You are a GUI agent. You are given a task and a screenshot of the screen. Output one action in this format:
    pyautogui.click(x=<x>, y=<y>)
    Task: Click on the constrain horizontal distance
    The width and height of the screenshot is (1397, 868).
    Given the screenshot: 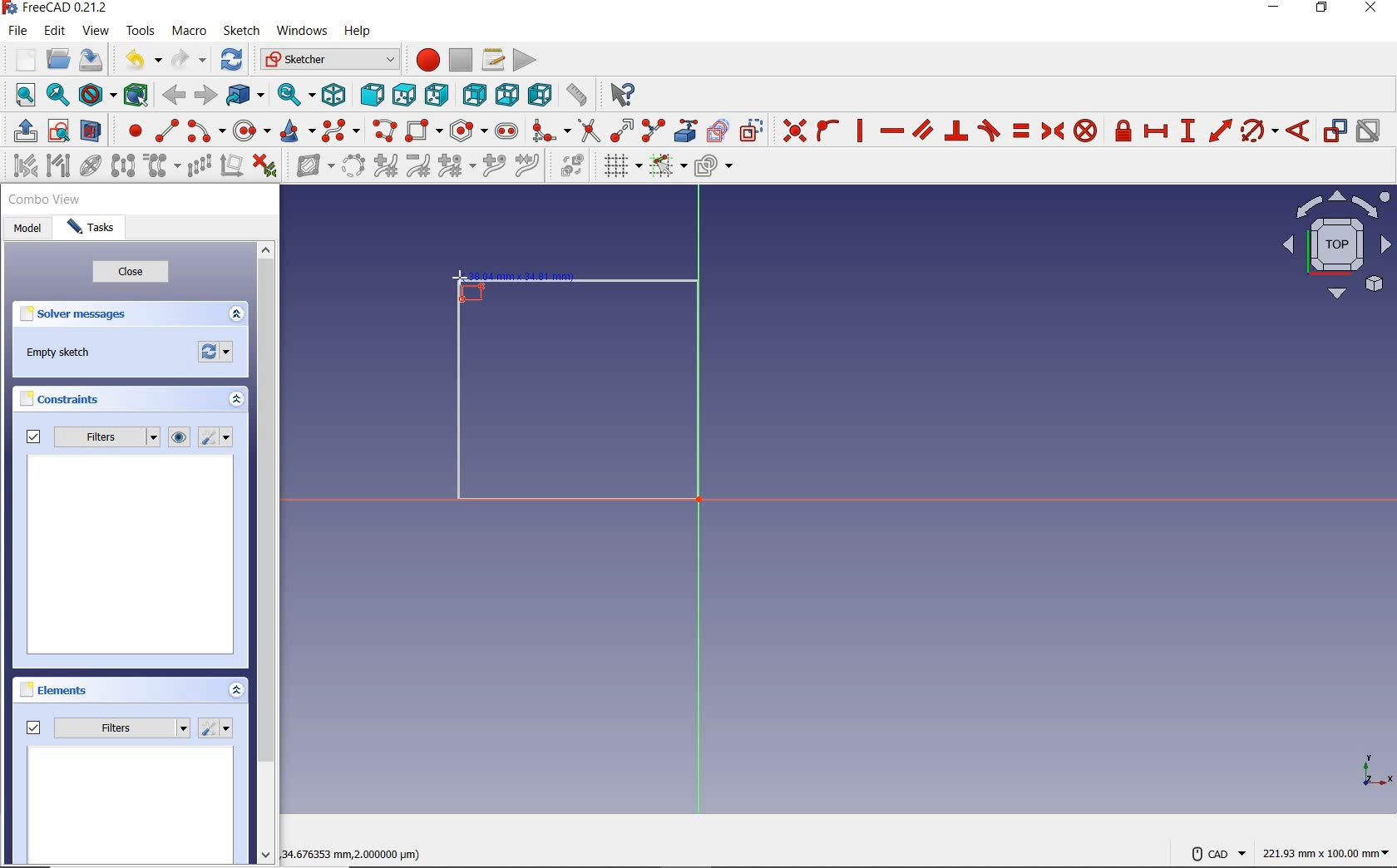 What is the action you would take?
    pyautogui.click(x=1157, y=133)
    